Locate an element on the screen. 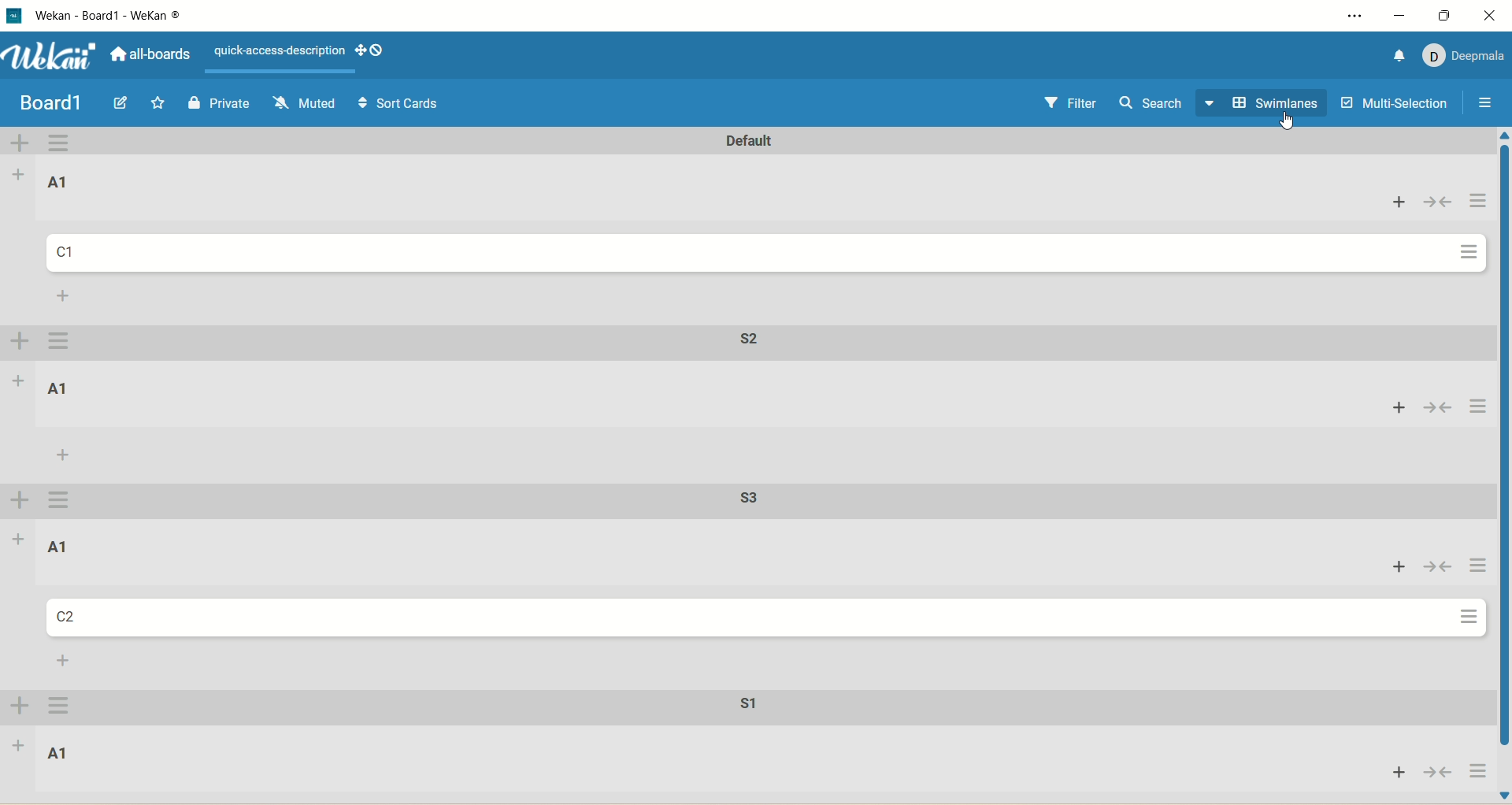  collapse is located at coordinates (1445, 208).